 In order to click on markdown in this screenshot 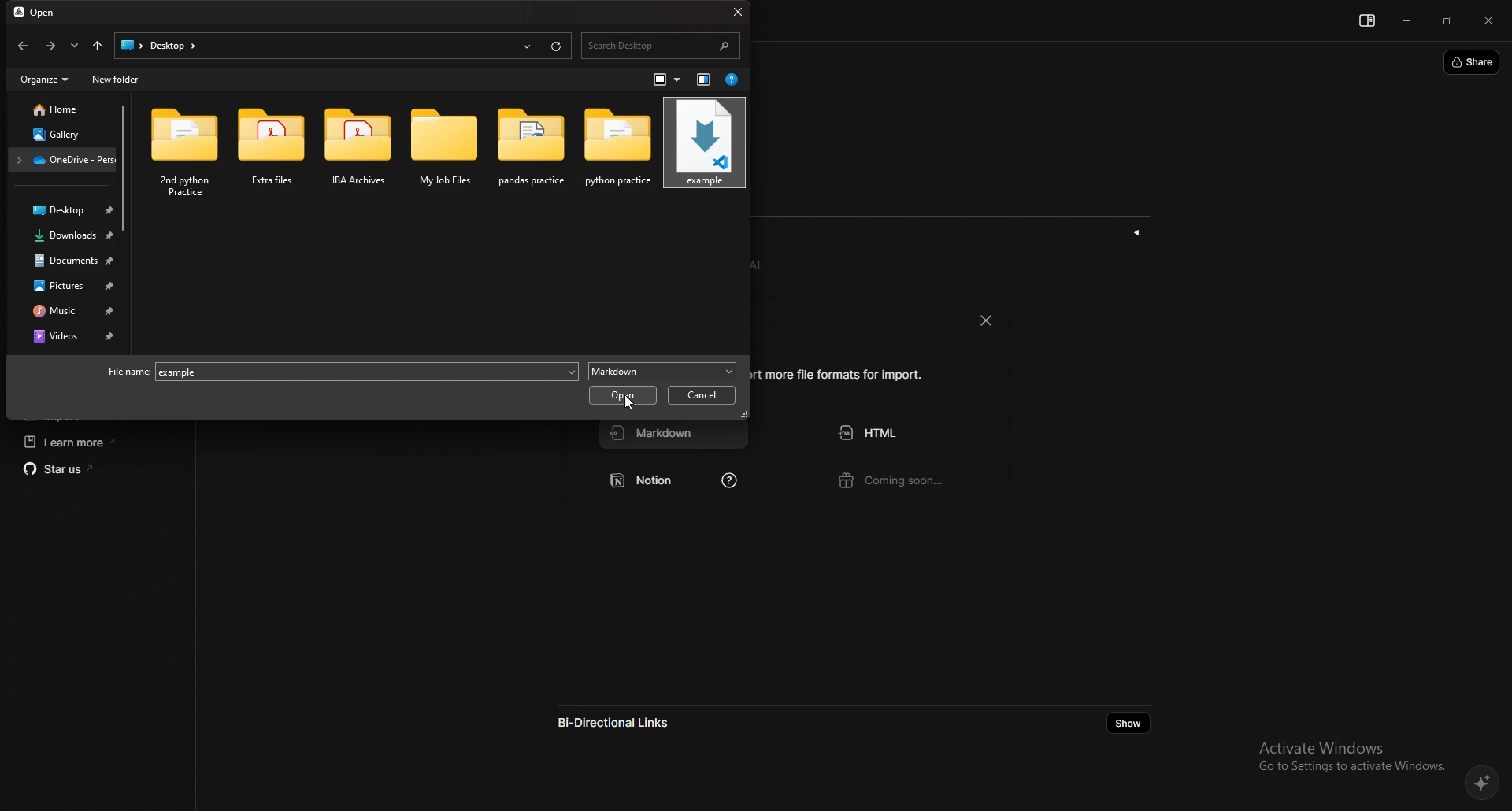, I will do `click(662, 370)`.